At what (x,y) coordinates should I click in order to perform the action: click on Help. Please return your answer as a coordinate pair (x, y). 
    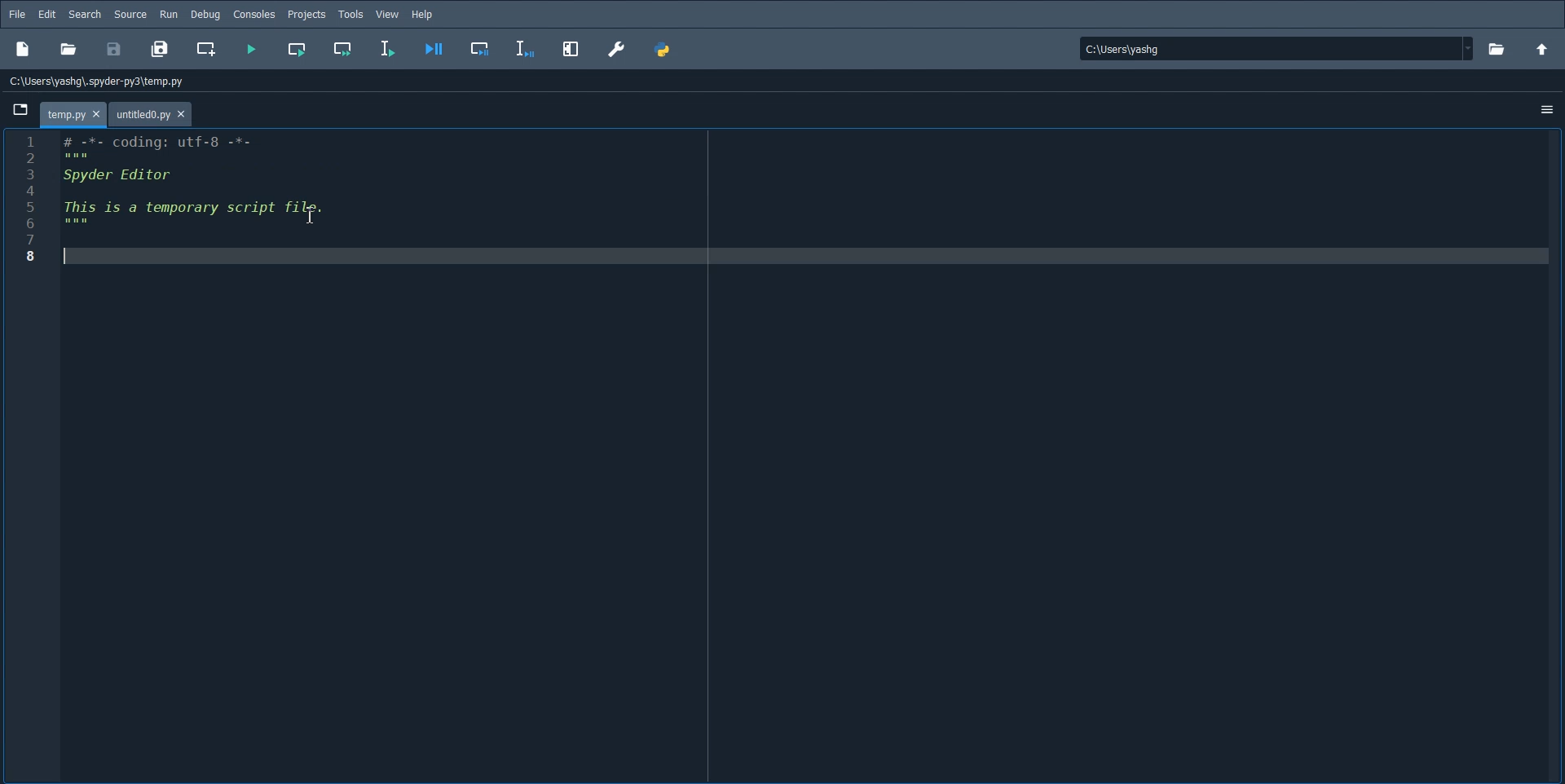
    Looking at the image, I should click on (423, 13).